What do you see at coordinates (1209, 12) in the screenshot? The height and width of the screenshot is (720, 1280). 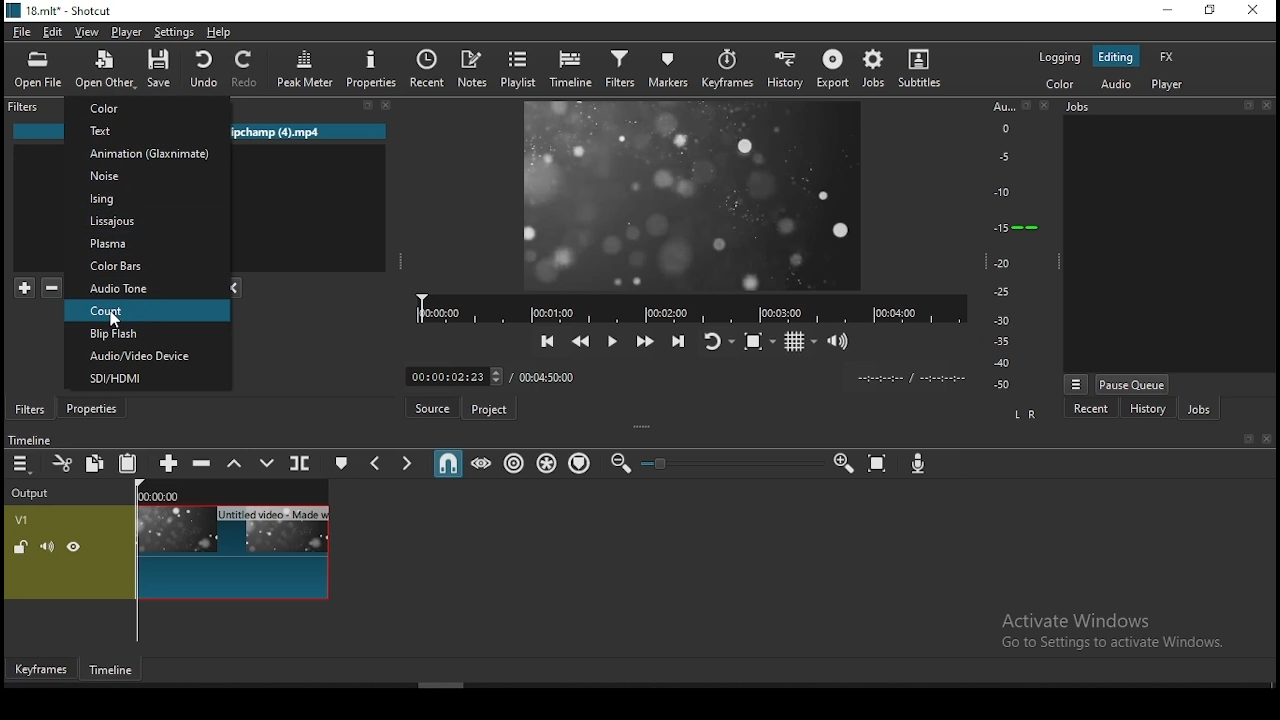 I see `restore` at bounding box center [1209, 12].